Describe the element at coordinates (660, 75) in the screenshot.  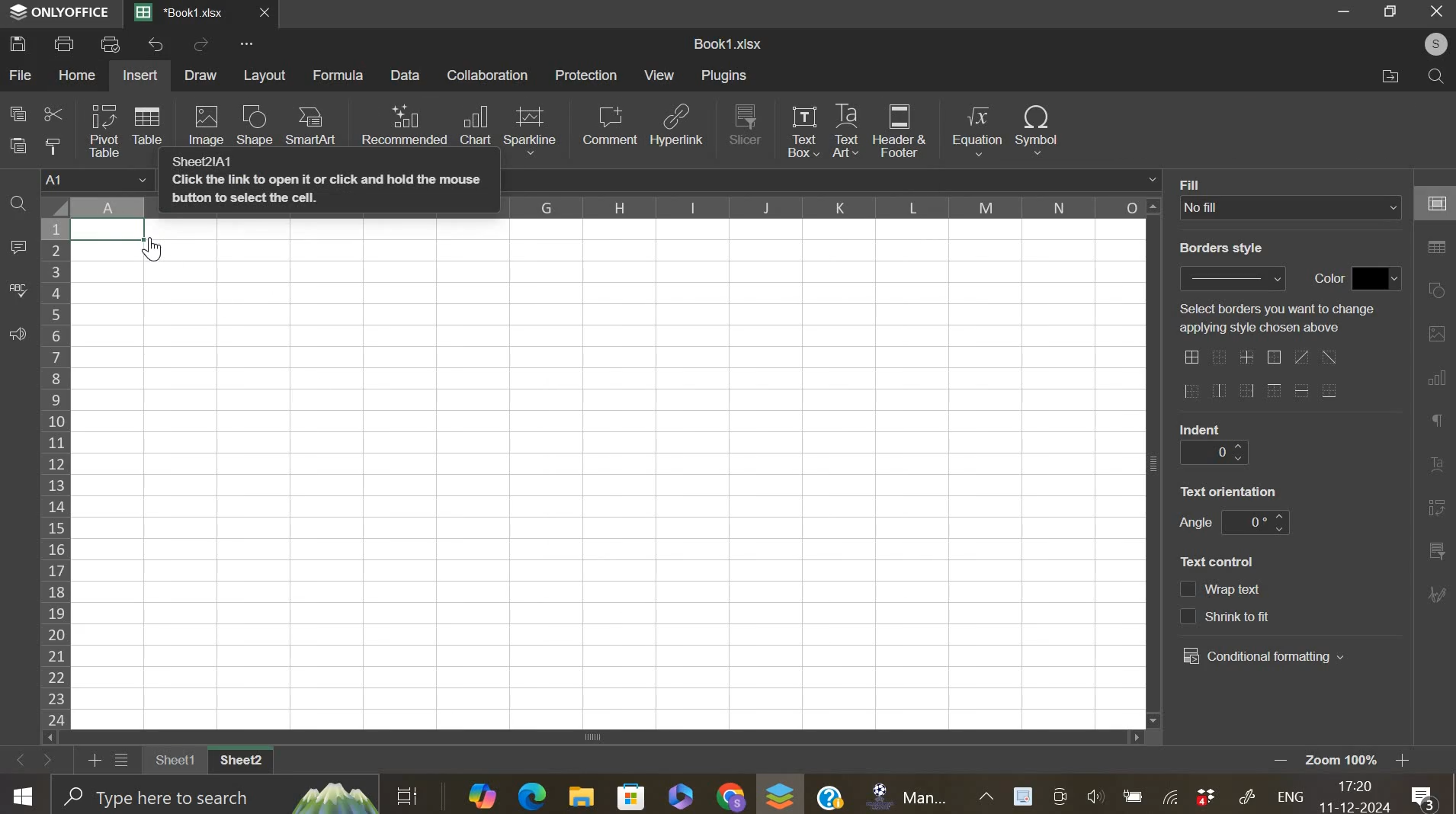
I see `view` at that location.